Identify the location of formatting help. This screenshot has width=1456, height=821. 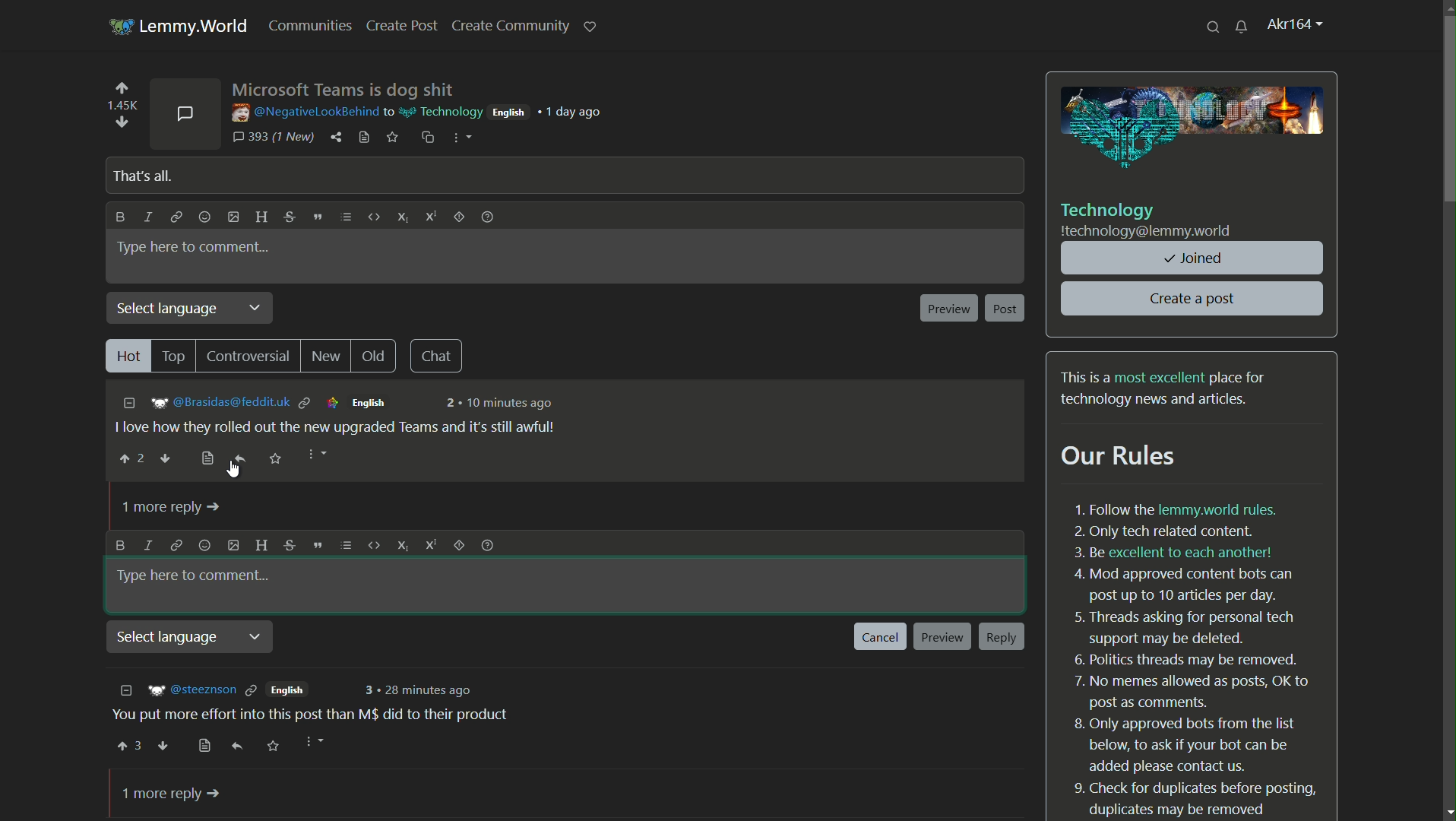
(487, 546).